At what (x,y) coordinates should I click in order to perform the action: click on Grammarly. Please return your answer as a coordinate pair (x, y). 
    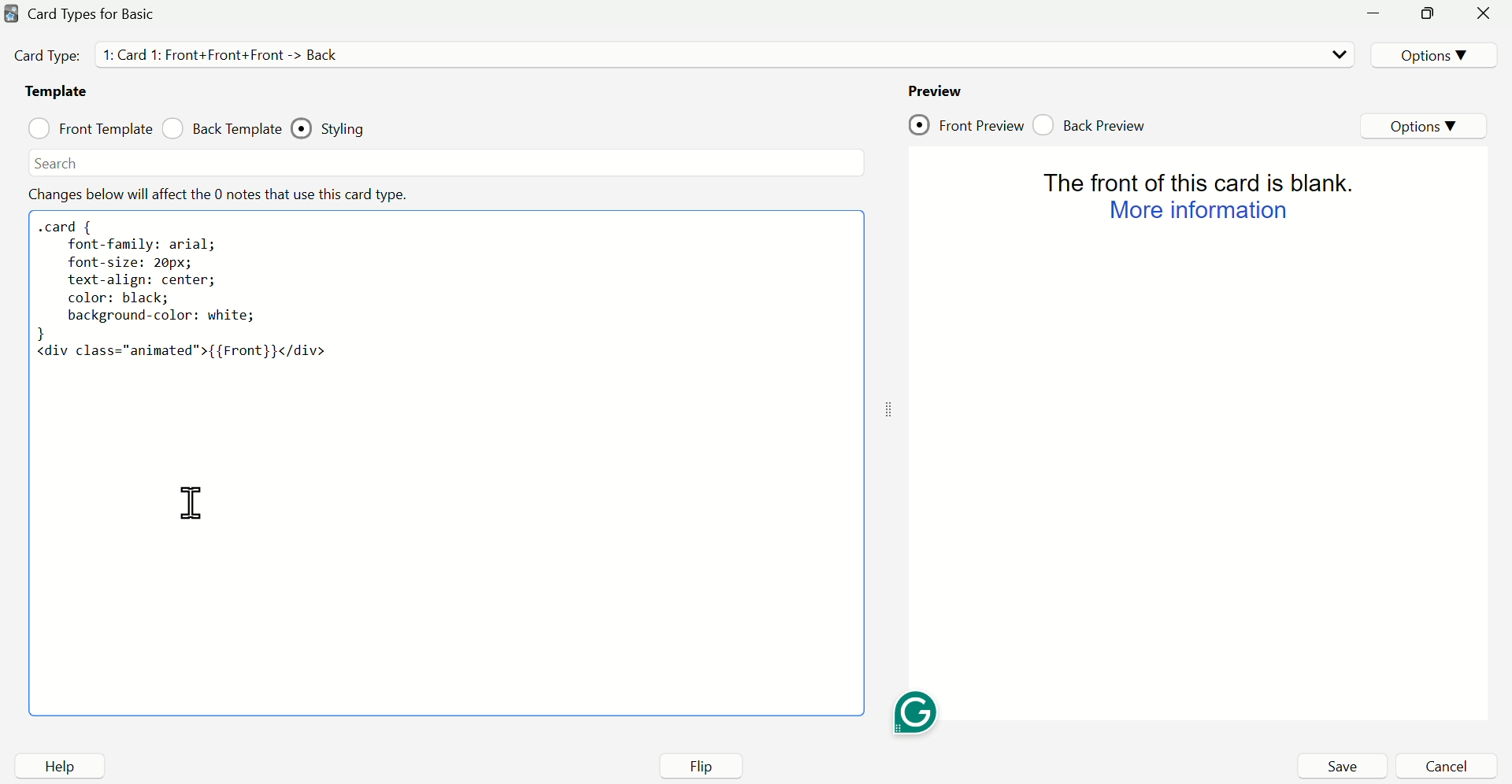
    Looking at the image, I should click on (914, 712).